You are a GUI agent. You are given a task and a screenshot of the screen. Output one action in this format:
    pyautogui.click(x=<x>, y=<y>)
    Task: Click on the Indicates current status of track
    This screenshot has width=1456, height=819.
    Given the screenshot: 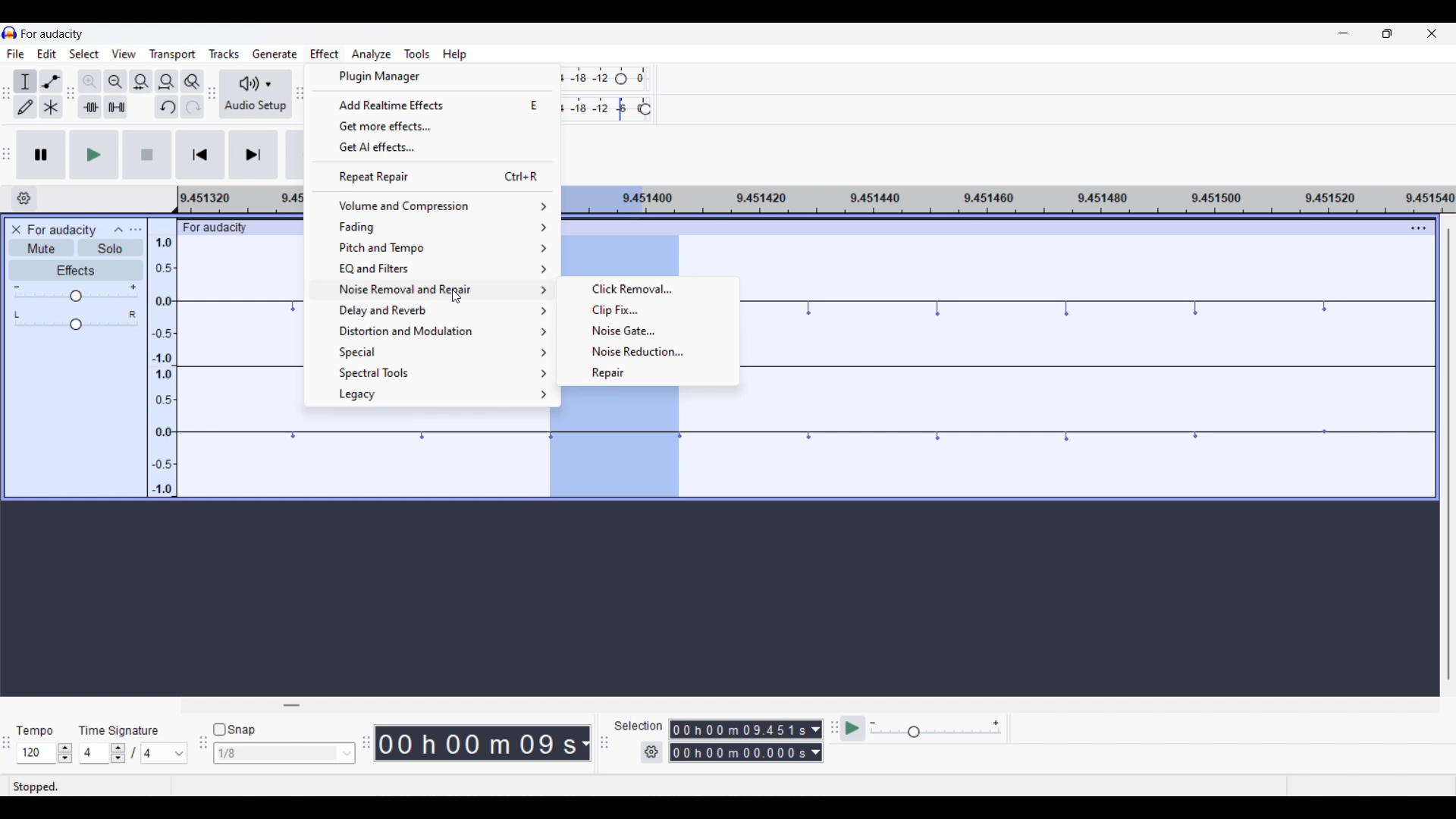 What is the action you would take?
    pyautogui.click(x=39, y=786)
    